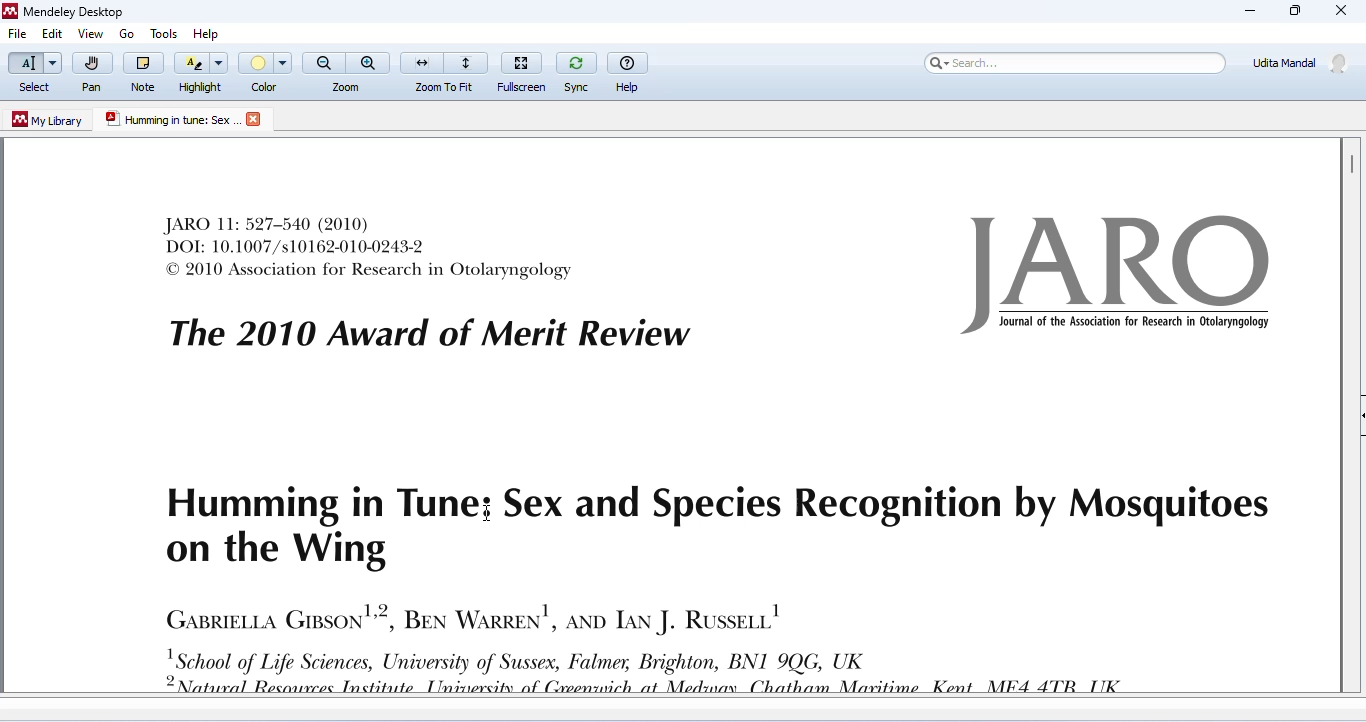  What do you see at coordinates (629, 70) in the screenshot?
I see `help` at bounding box center [629, 70].